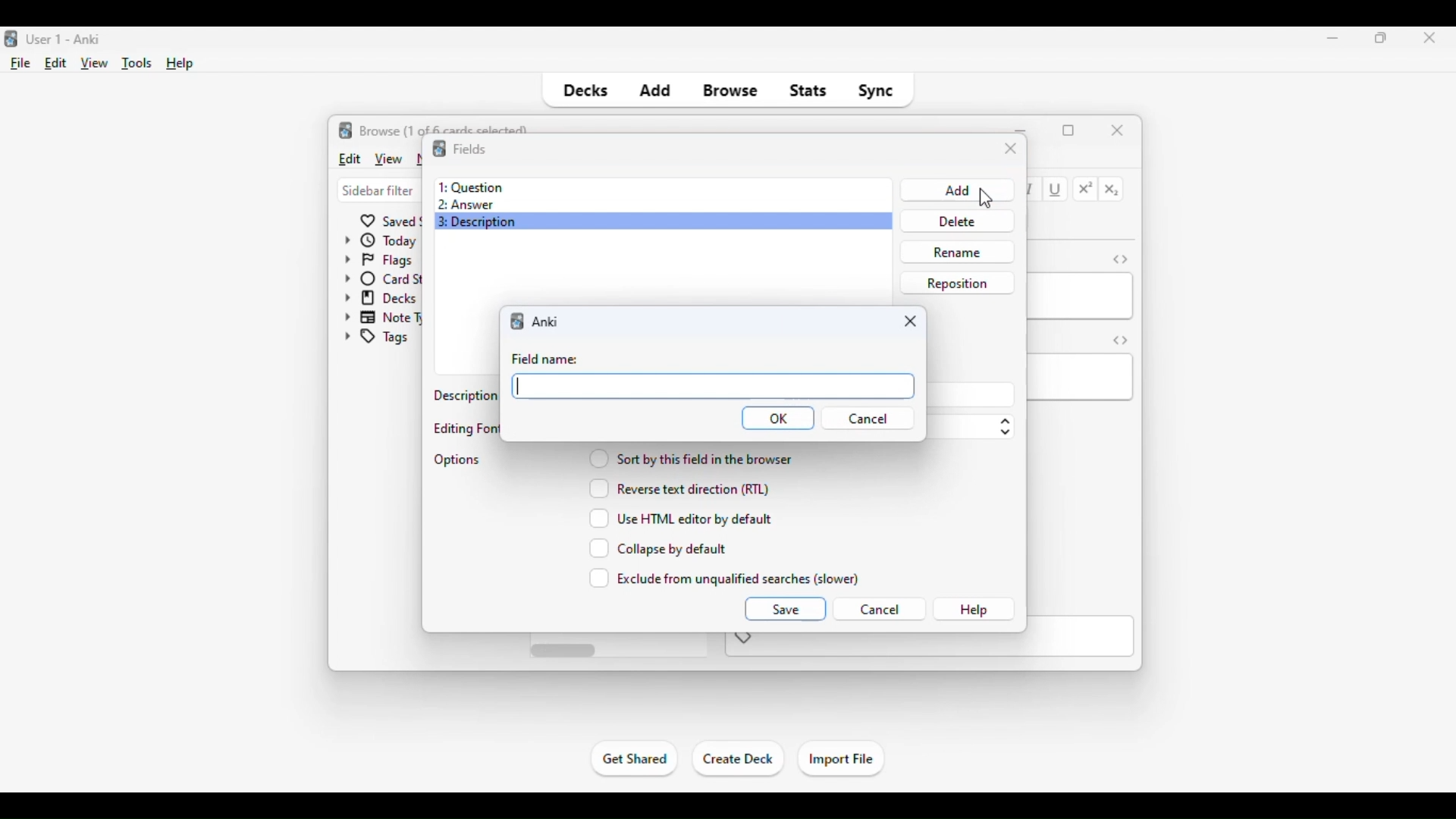  What do you see at coordinates (470, 187) in the screenshot?
I see `1: Question` at bounding box center [470, 187].